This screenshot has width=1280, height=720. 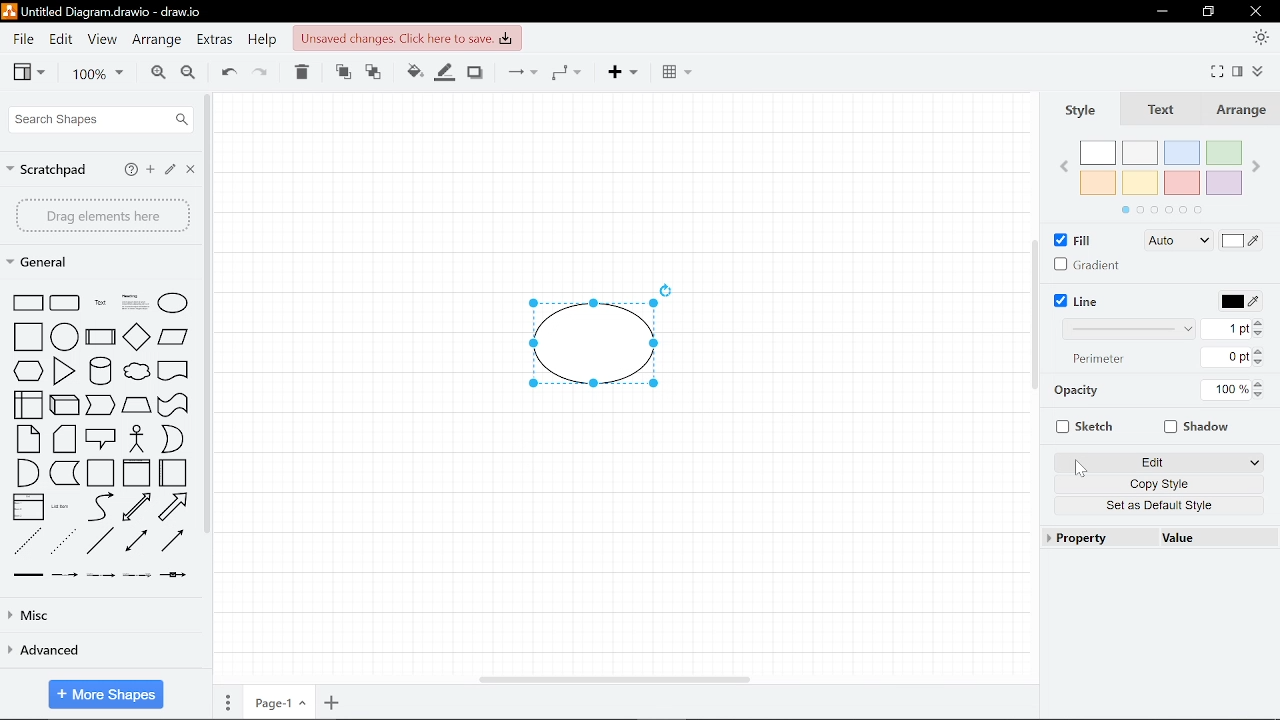 I want to click on internal storage, so click(x=29, y=406).